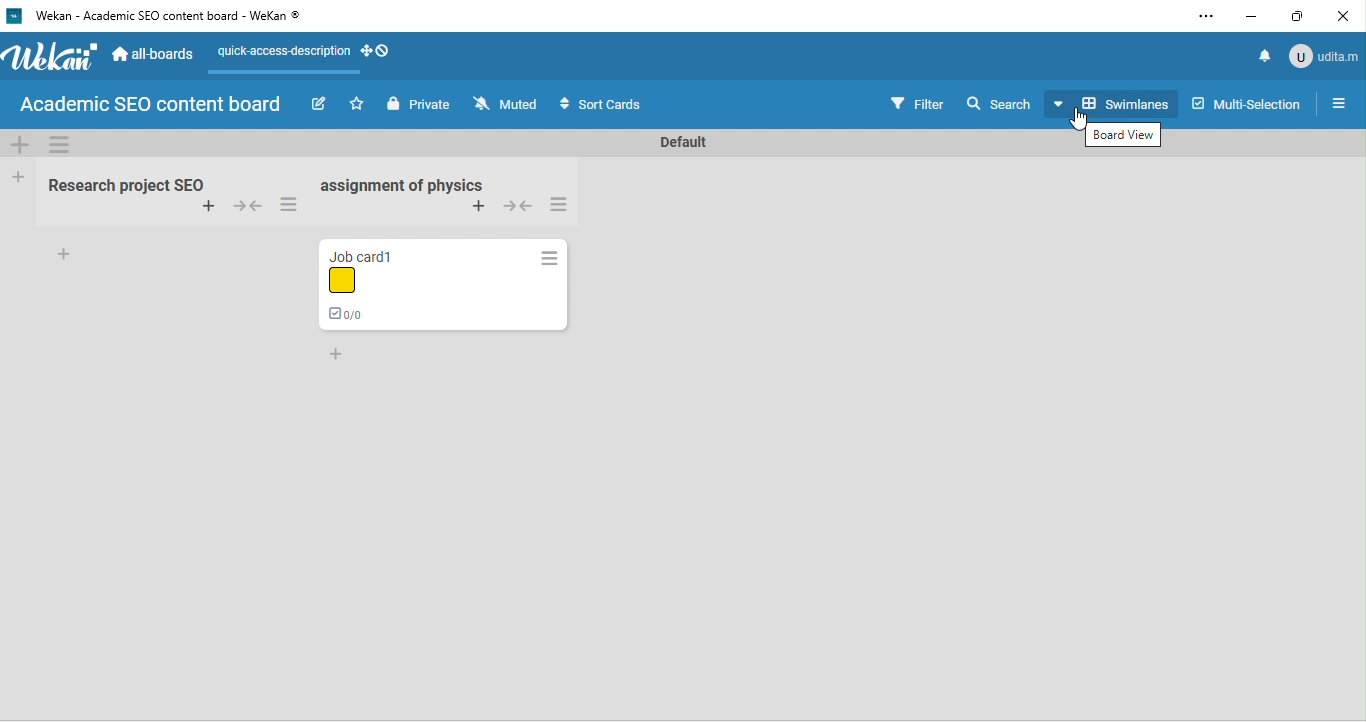 This screenshot has width=1366, height=722. What do you see at coordinates (418, 103) in the screenshot?
I see `private` at bounding box center [418, 103].